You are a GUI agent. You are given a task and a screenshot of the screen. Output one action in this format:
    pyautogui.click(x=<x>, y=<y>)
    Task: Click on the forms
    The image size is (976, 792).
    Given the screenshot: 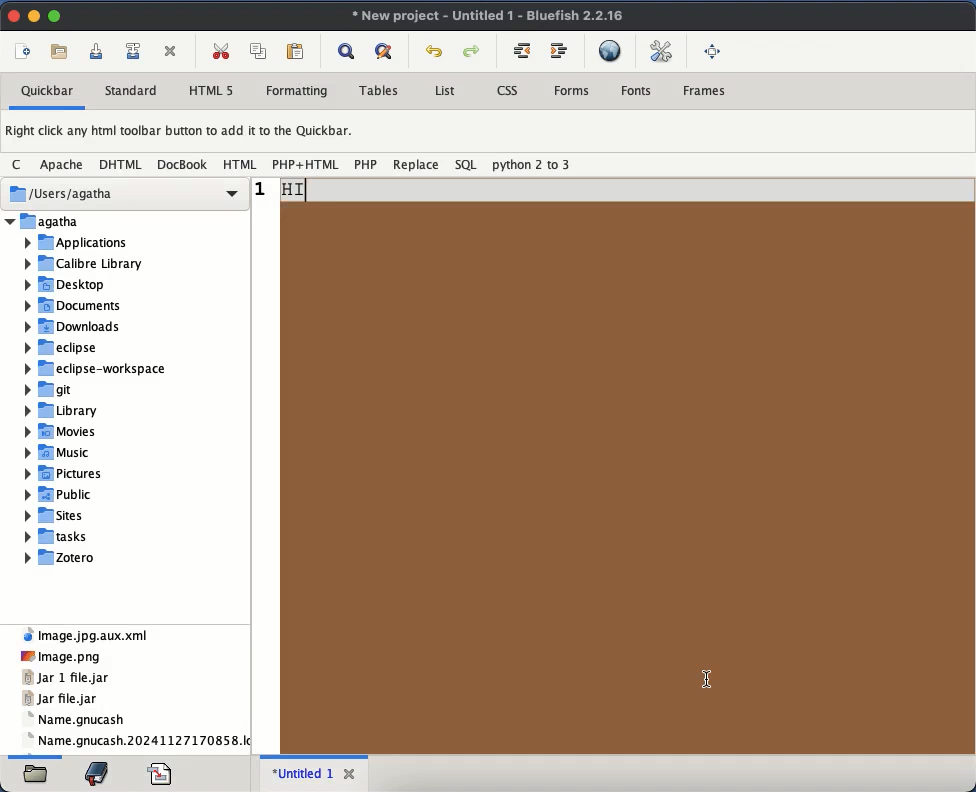 What is the action you would take?
    pyautogui.click(x=572, y=91)
    